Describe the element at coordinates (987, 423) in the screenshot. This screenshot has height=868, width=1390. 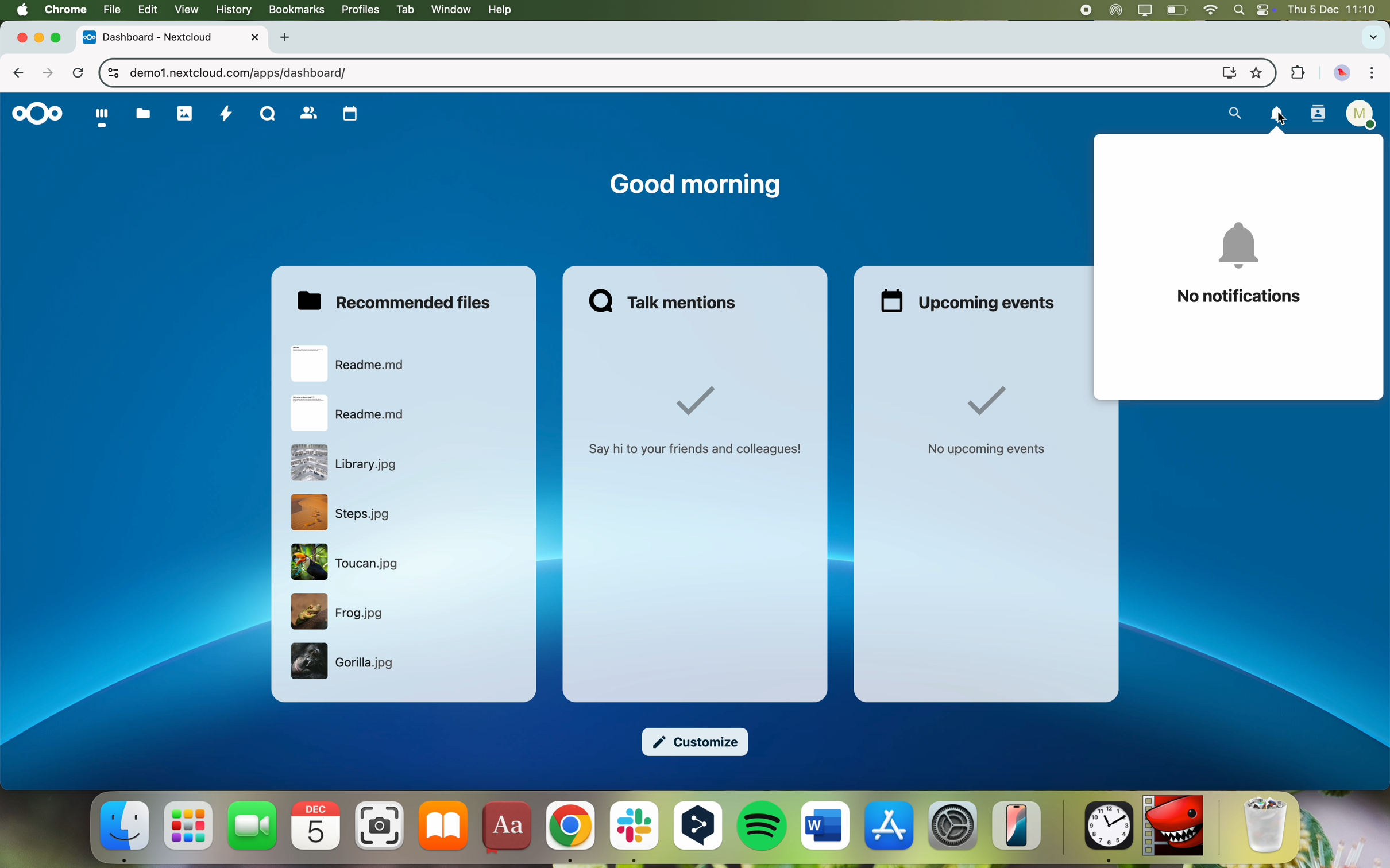
I see `no upcoming events` at that location.